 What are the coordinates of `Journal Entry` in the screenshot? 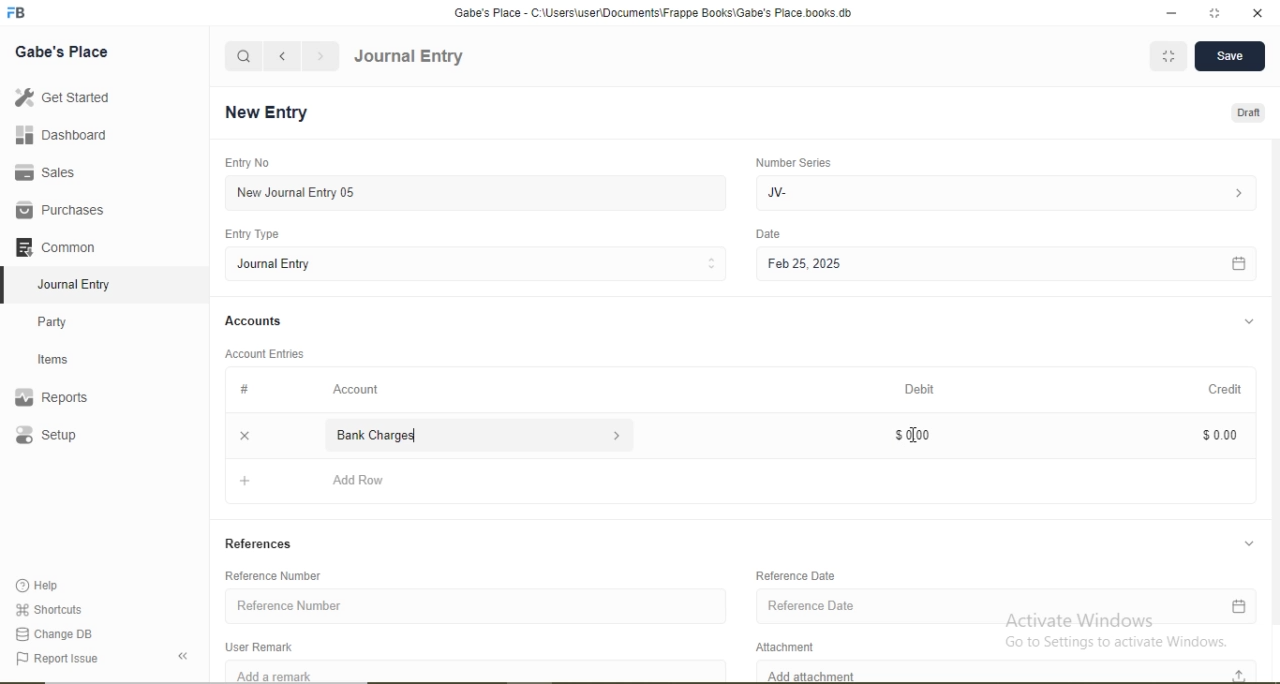 It's located at (409, 57).